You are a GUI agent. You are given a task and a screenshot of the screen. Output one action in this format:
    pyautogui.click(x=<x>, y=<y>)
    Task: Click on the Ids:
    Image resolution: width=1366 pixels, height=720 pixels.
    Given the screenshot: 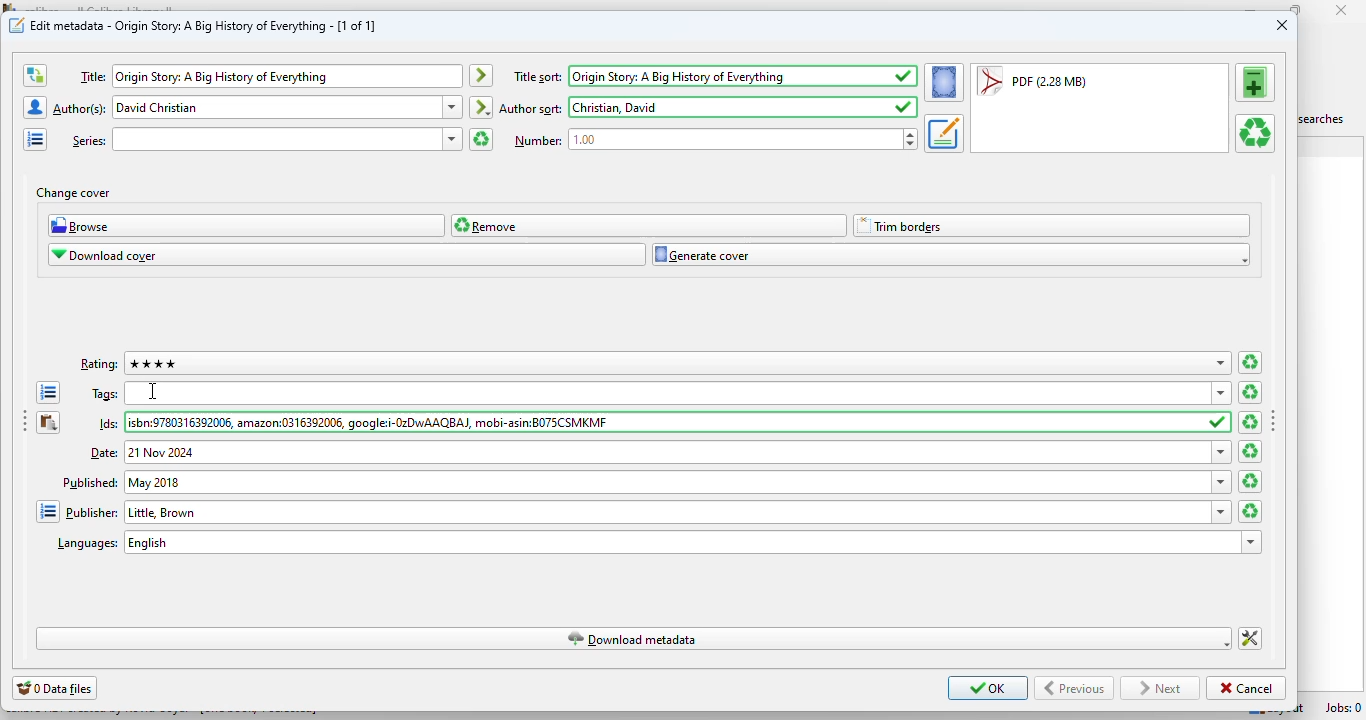 What is the action you would take?
    pyautogui.click(x=665, y=423)
    